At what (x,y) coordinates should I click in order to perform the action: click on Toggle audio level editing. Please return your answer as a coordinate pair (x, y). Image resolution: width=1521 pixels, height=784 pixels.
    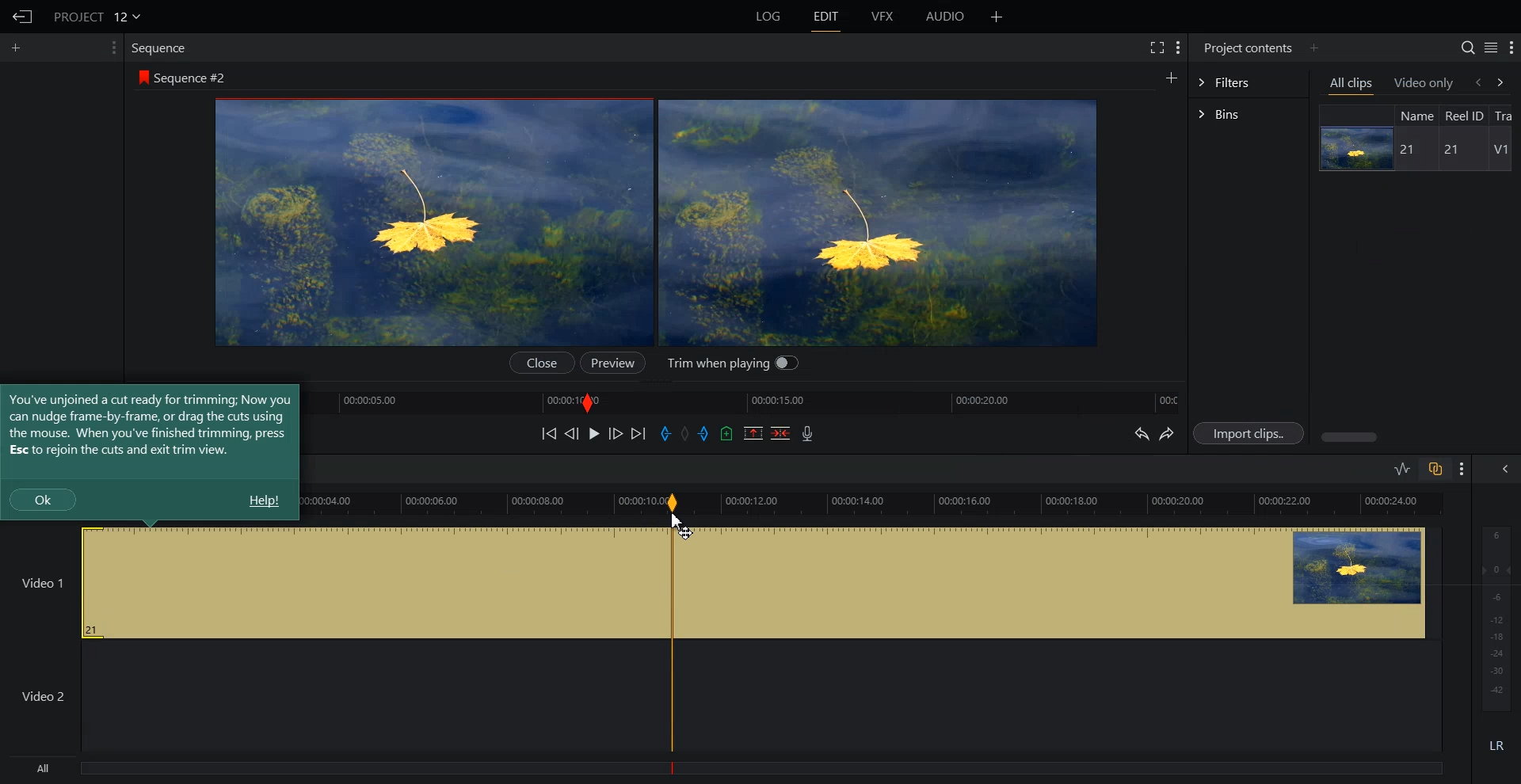
    Looking at the image, I should click on (1403, 468).